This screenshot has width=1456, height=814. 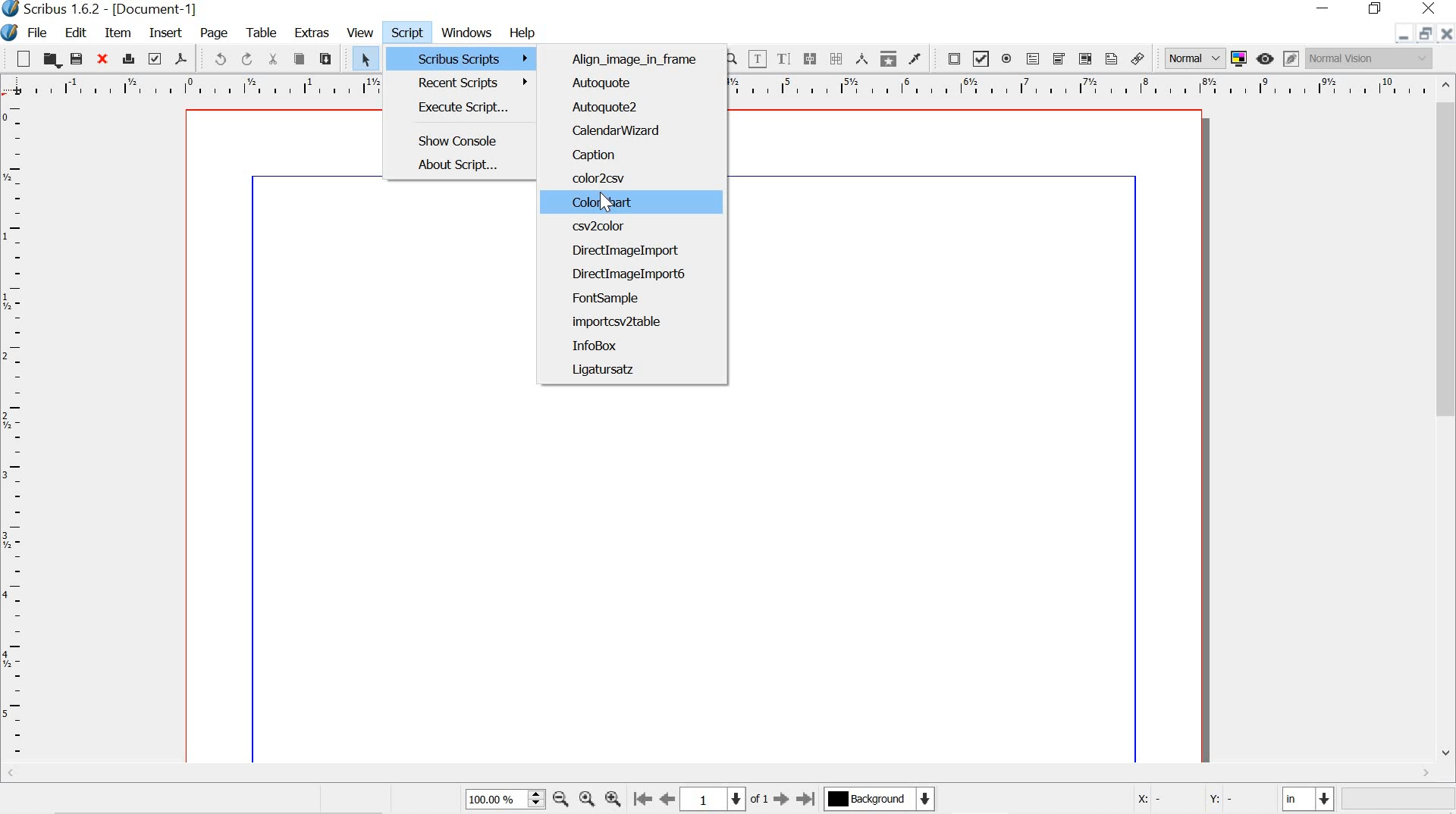 What do you see at coordinates (1008, 61) in the screenshot?
I see `pdf radio button` at bounding box center [1008, 61].